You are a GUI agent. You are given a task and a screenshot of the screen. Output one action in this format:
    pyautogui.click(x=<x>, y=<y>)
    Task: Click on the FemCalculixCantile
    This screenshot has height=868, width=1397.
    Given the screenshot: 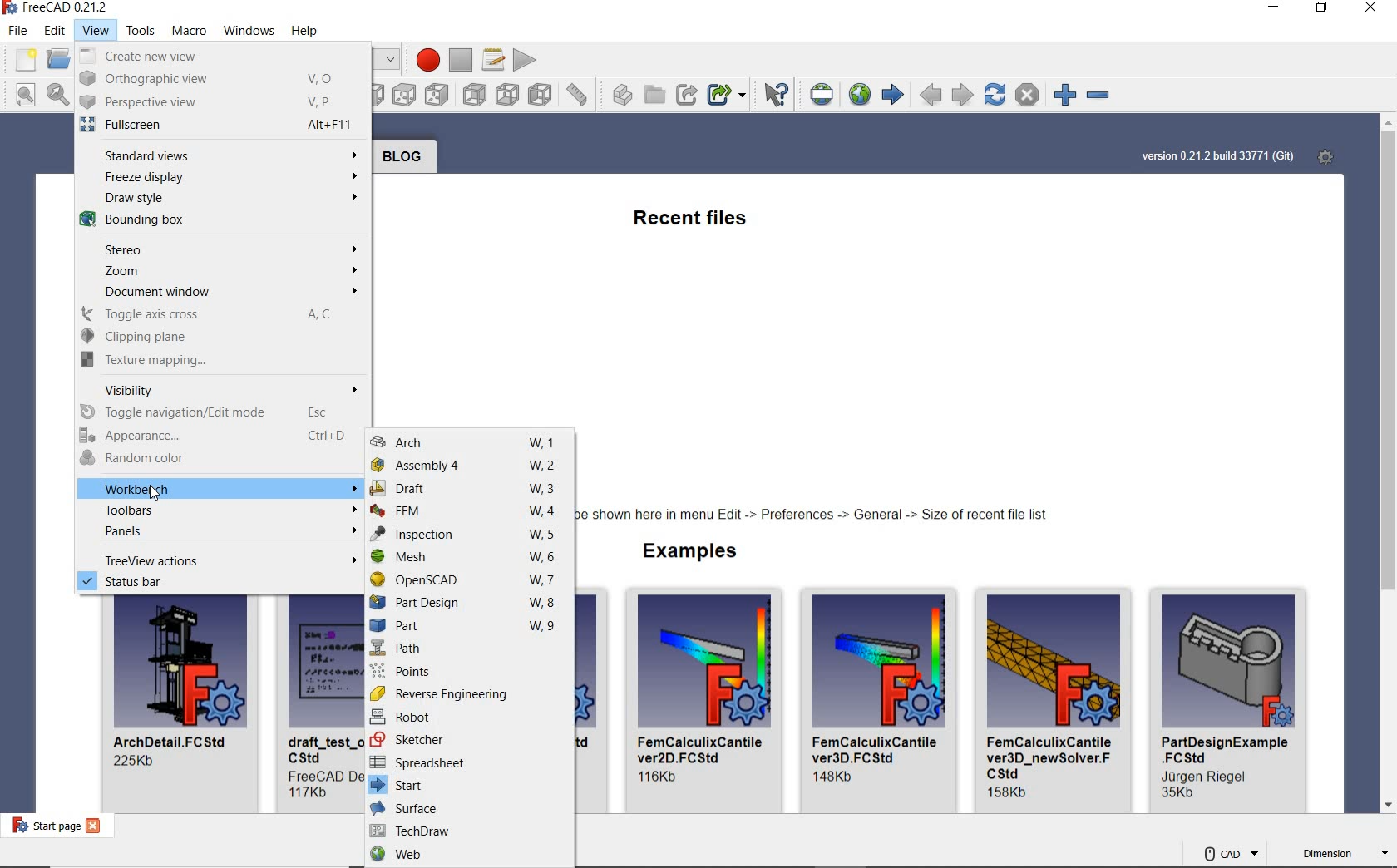 What is the action you would take?
    pyautogui.click(x=881, y=702)
    